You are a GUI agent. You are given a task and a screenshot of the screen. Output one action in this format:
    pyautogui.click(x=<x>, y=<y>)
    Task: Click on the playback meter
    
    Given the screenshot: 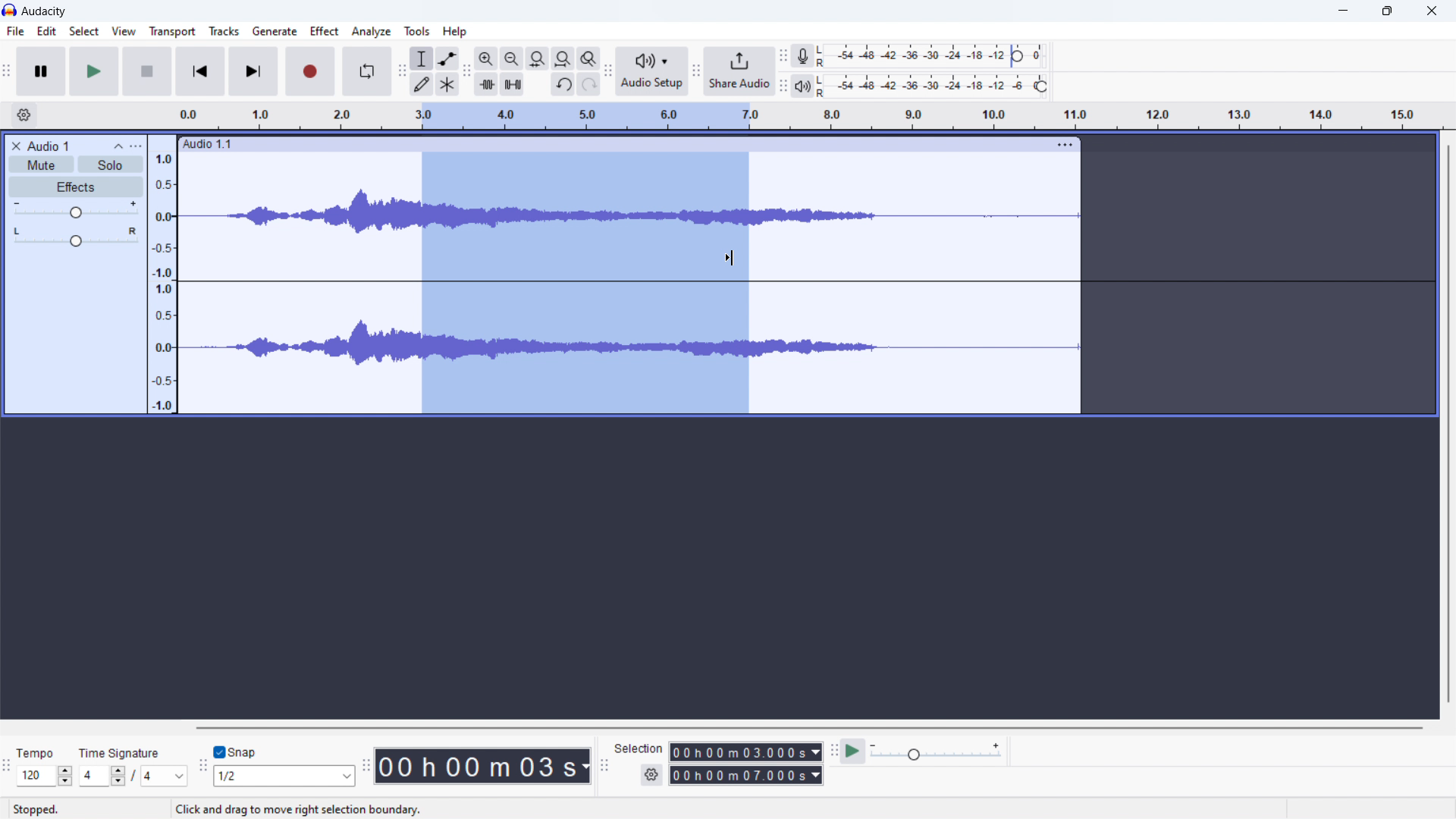 What is the action you would take?
    pyautogui.click(x=804, y=86)
    